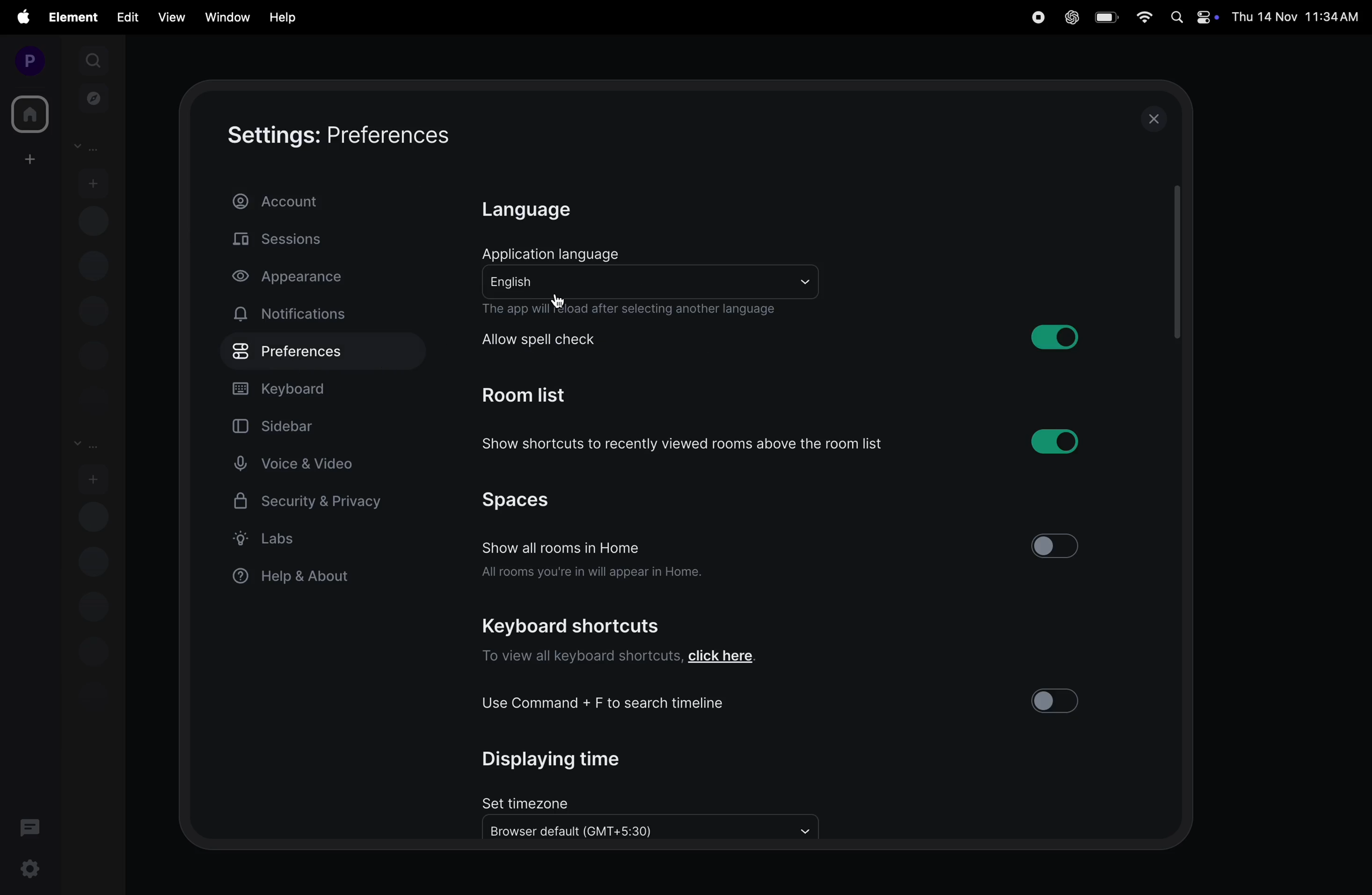 The height and width of the screenshot is (895, 1372). Describe the element at coordinates (561, 301) in the screenshot. I see `cursor` at that location.